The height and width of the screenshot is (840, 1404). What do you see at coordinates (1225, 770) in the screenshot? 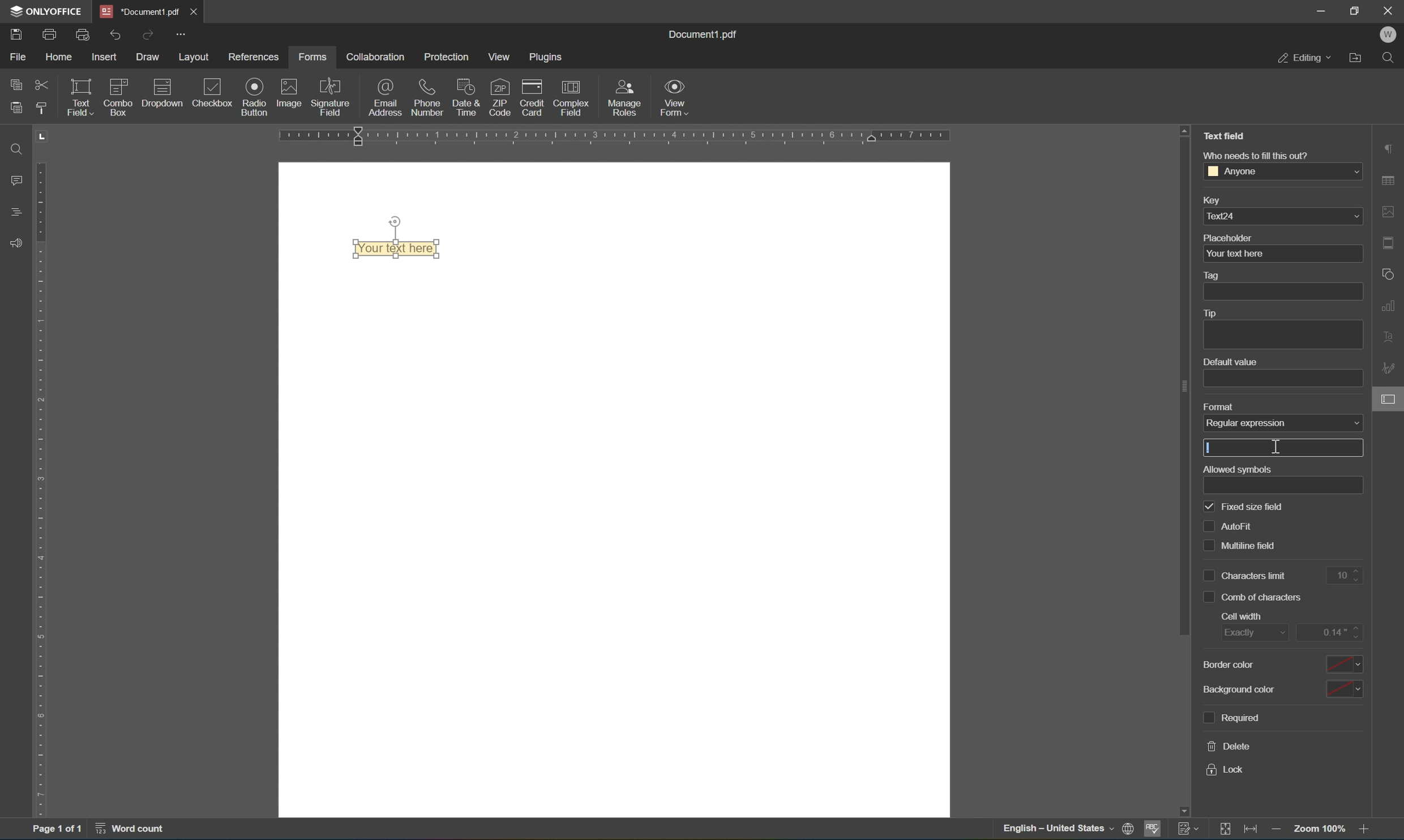
I see `lock` at bounding box center [1225, 770].